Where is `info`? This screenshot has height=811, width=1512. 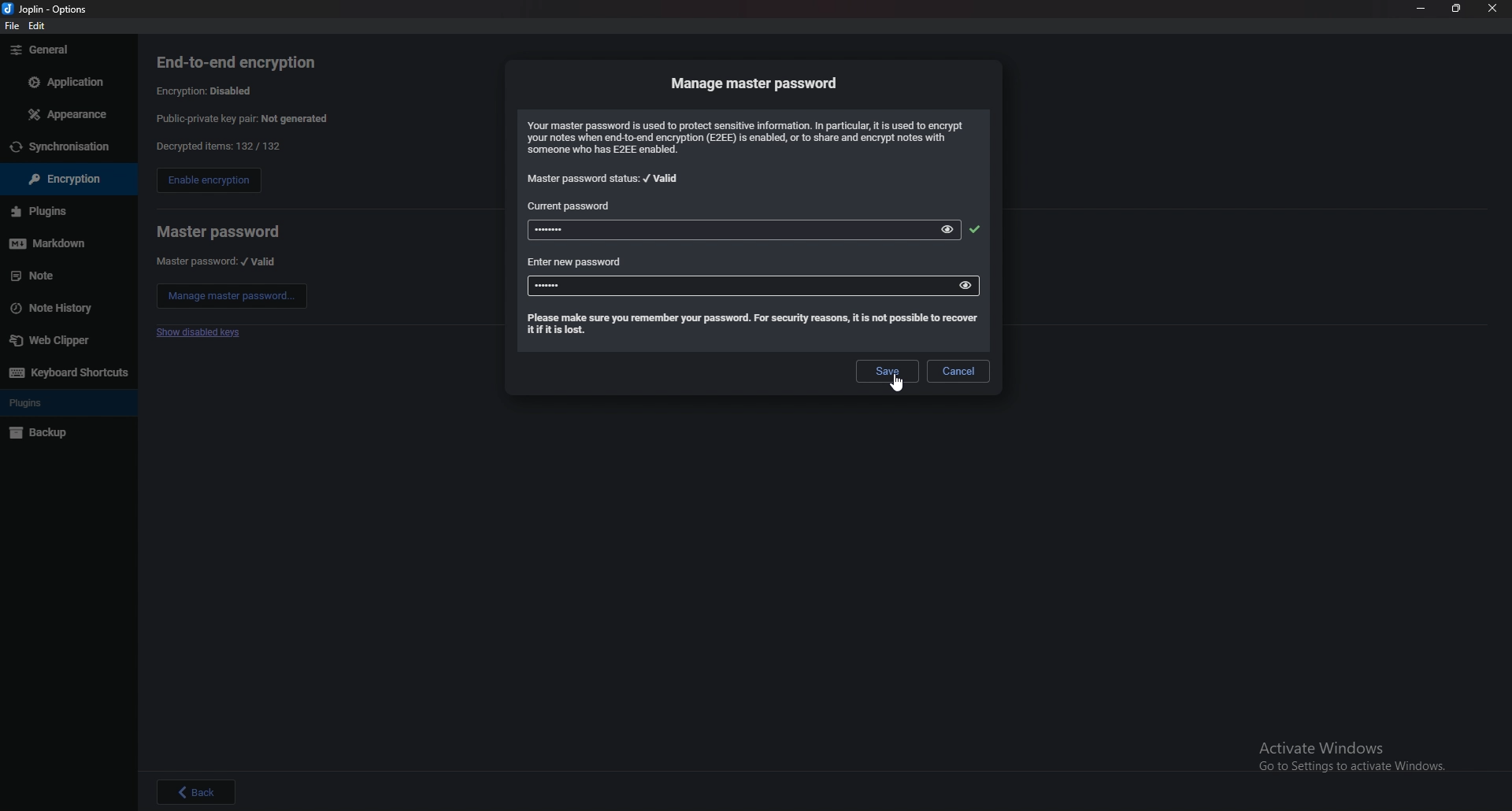
info is located at coordinates (750, 137).